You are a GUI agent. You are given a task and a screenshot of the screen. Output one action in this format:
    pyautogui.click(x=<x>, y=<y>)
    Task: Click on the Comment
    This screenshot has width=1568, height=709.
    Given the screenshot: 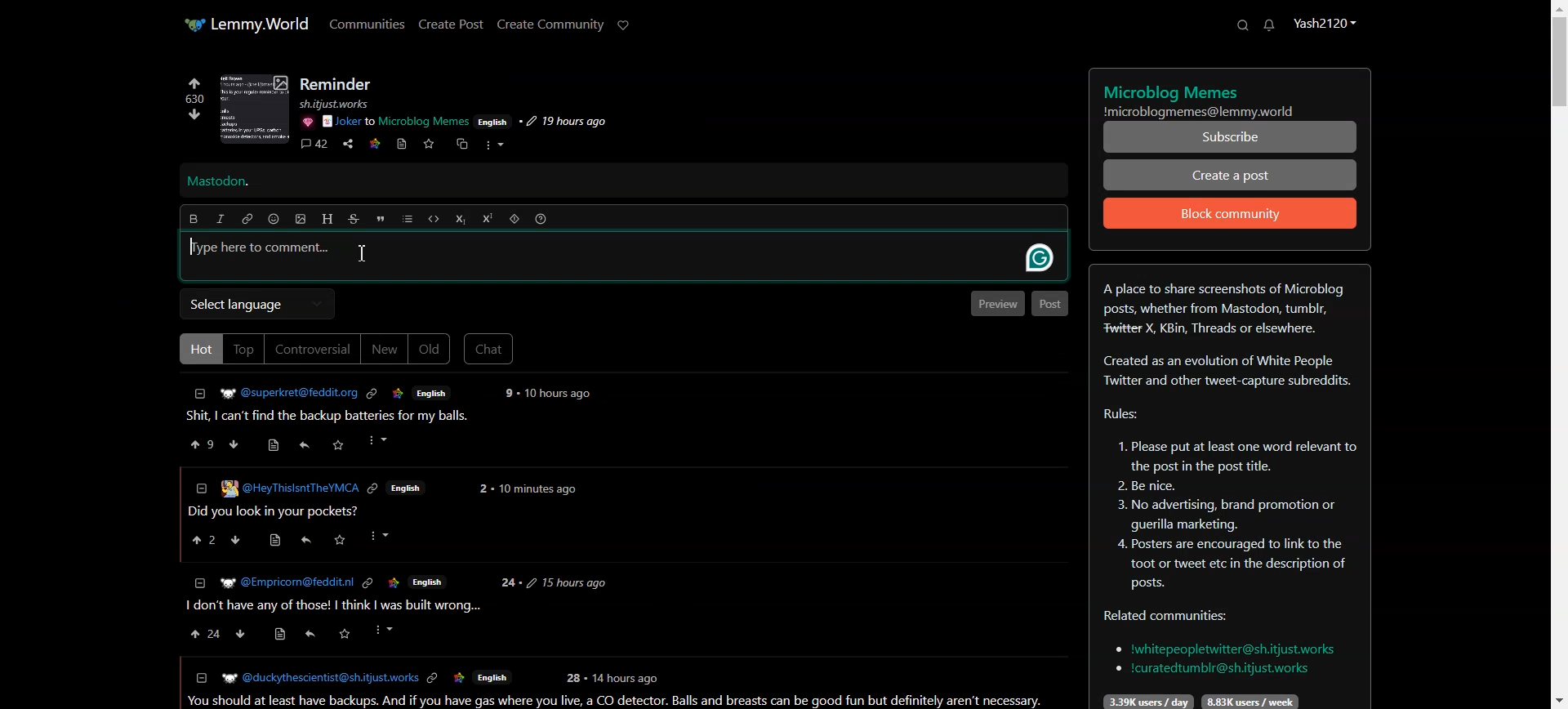 What is the action you would take?
    pyautogui.click(x=314, y=145)
    